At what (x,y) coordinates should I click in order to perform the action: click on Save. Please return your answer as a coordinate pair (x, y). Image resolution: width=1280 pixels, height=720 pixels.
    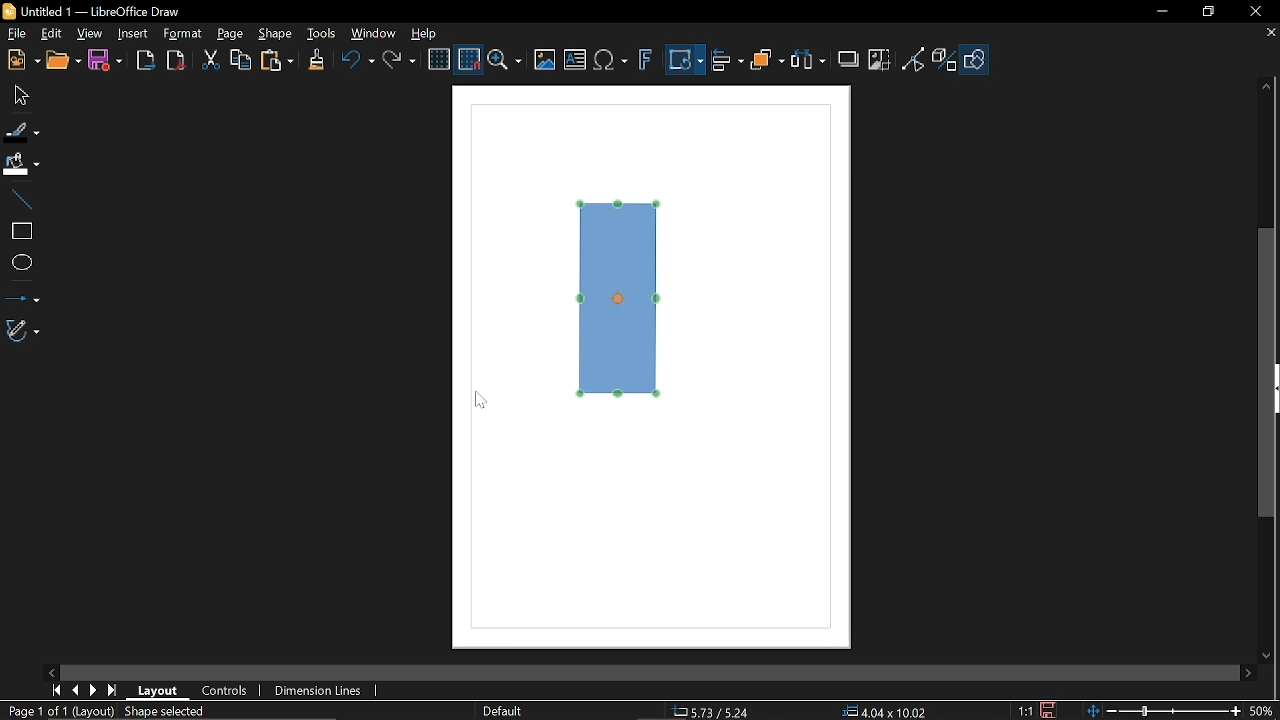
    Looking at the image, I should click on (1046, 711).